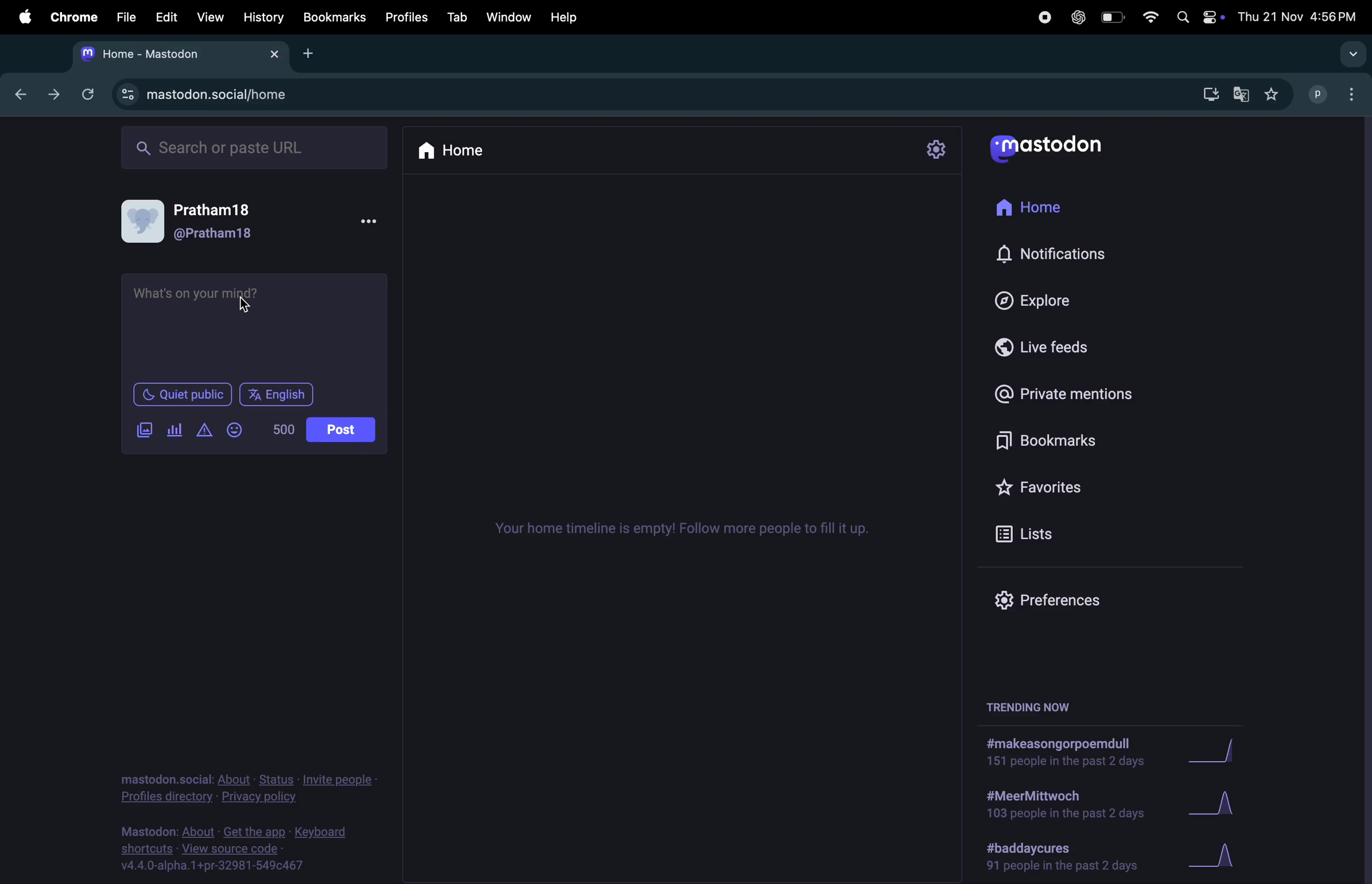 This screenshot has height=884, width=1372. Describe the element at coordinates (85, 93) in the screenshot. I see `refresh` at that location.